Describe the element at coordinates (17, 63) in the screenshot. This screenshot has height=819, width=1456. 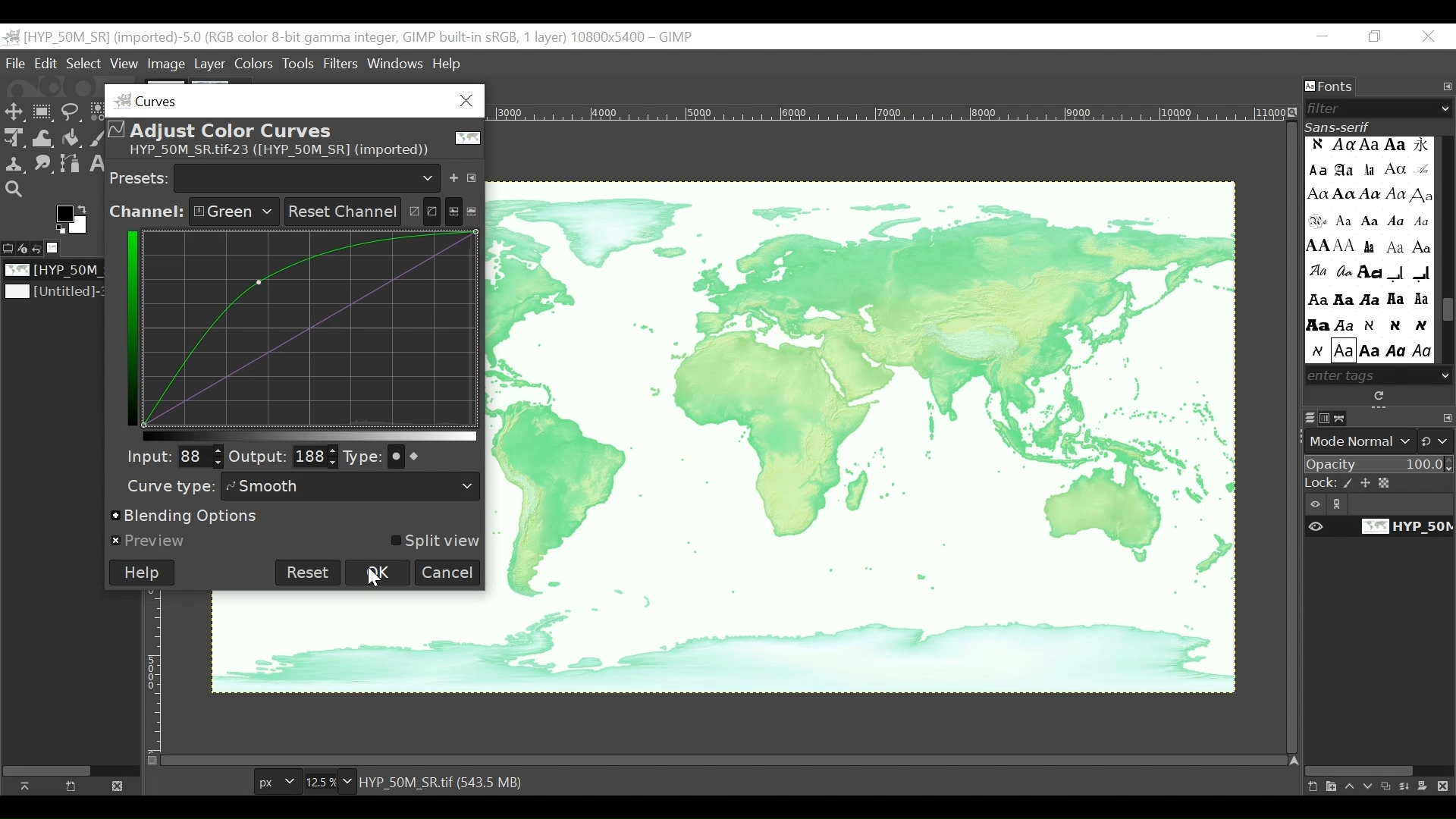
I see `File` at that location.